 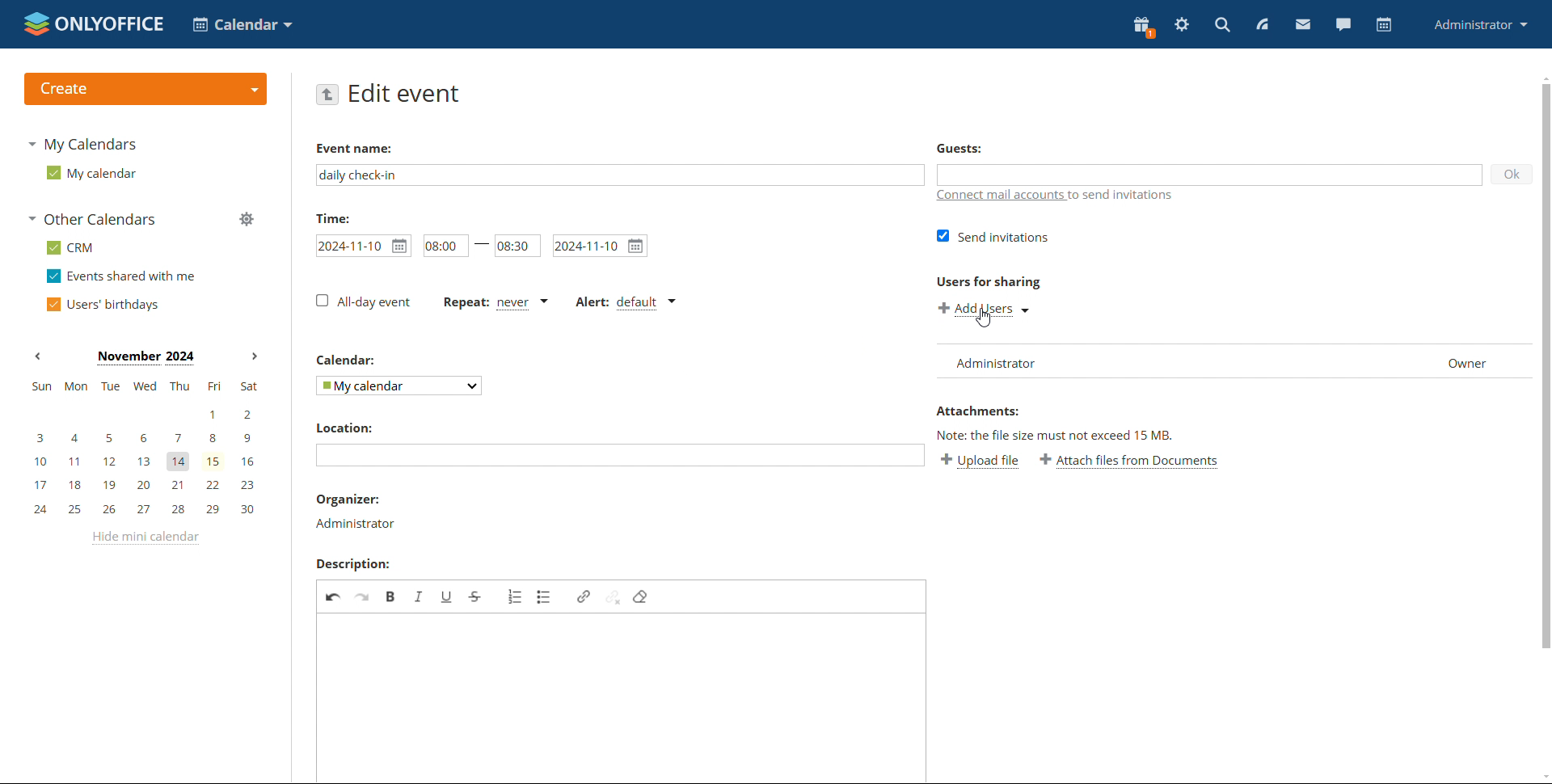 What do you see at coordinates (584, 596) in the screenshot?
I see `link` at bounding box center [584, 596].